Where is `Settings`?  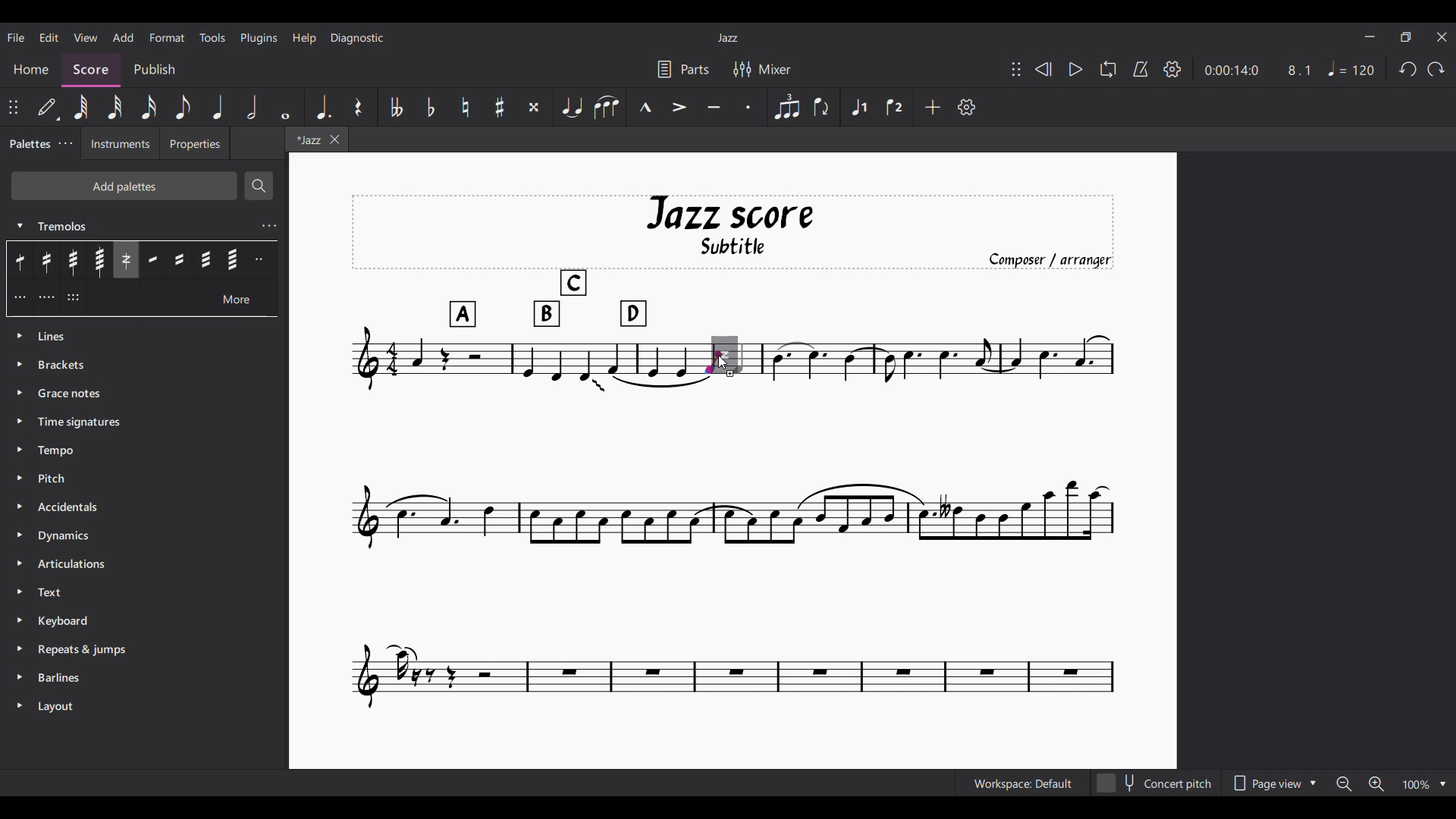 Settings is located at coordinates (1172, 69).